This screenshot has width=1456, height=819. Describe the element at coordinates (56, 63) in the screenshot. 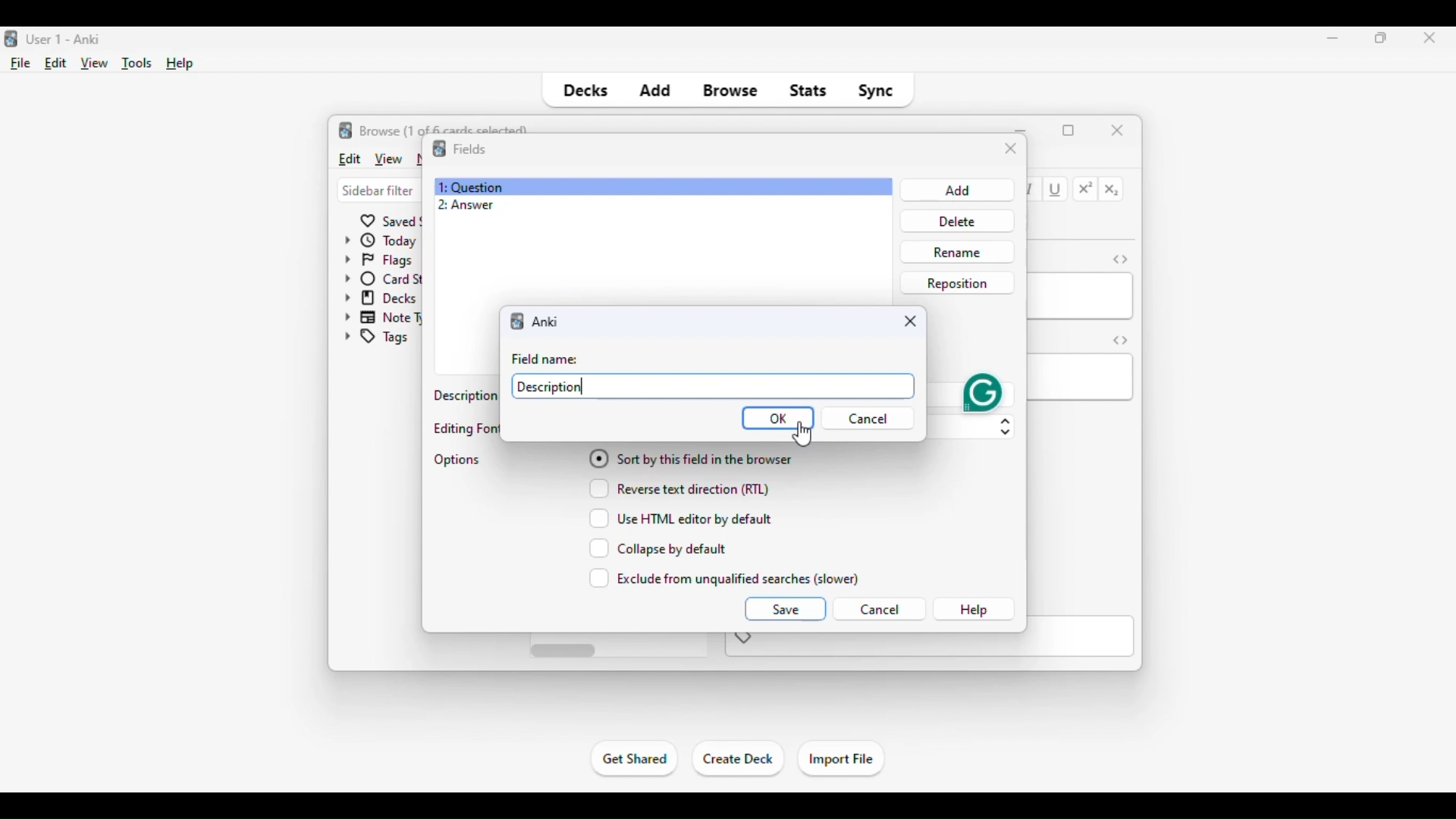

I see `edit` at that location.